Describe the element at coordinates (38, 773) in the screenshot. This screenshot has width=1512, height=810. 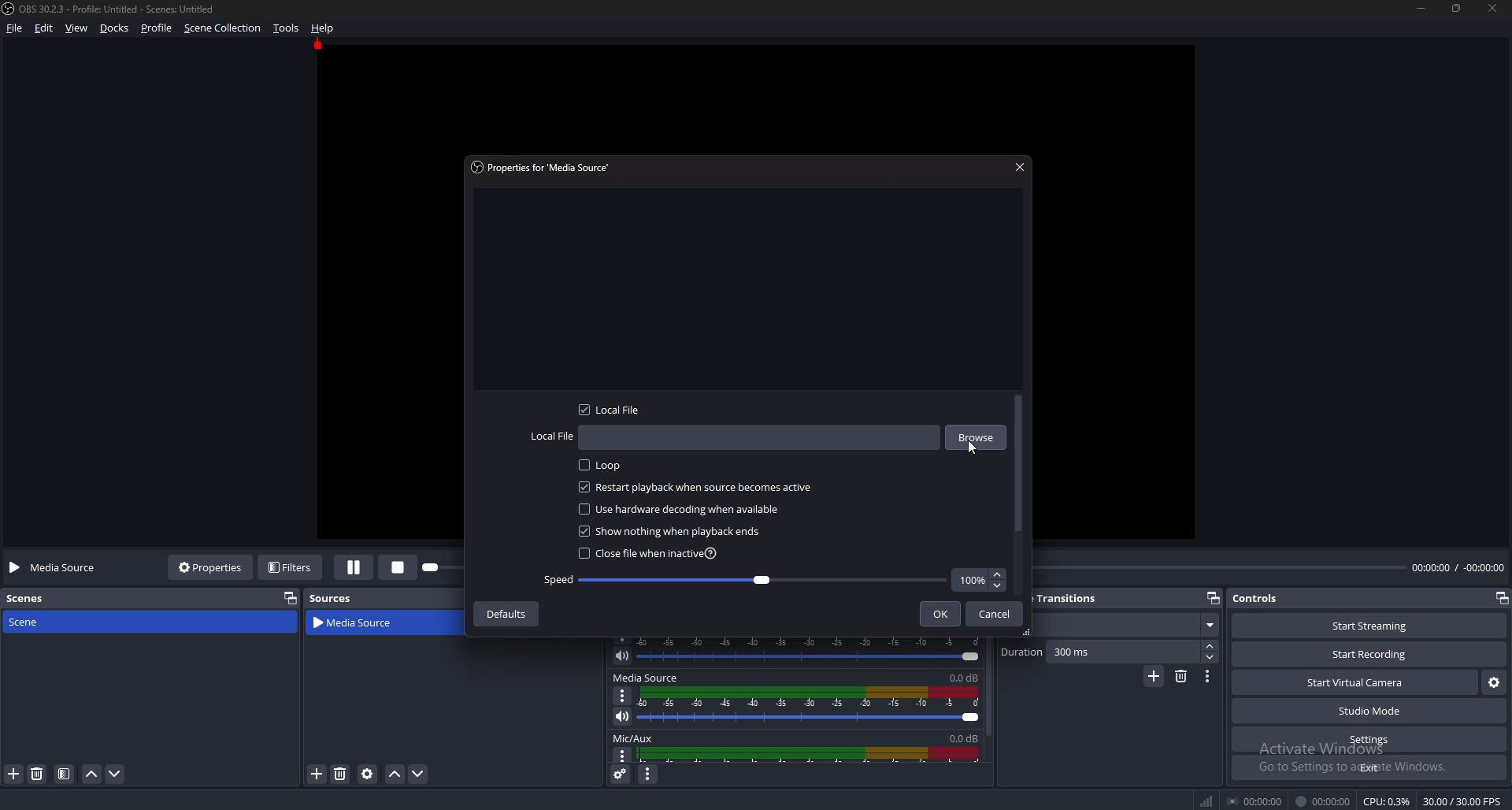
I see `delete scene` at that location.